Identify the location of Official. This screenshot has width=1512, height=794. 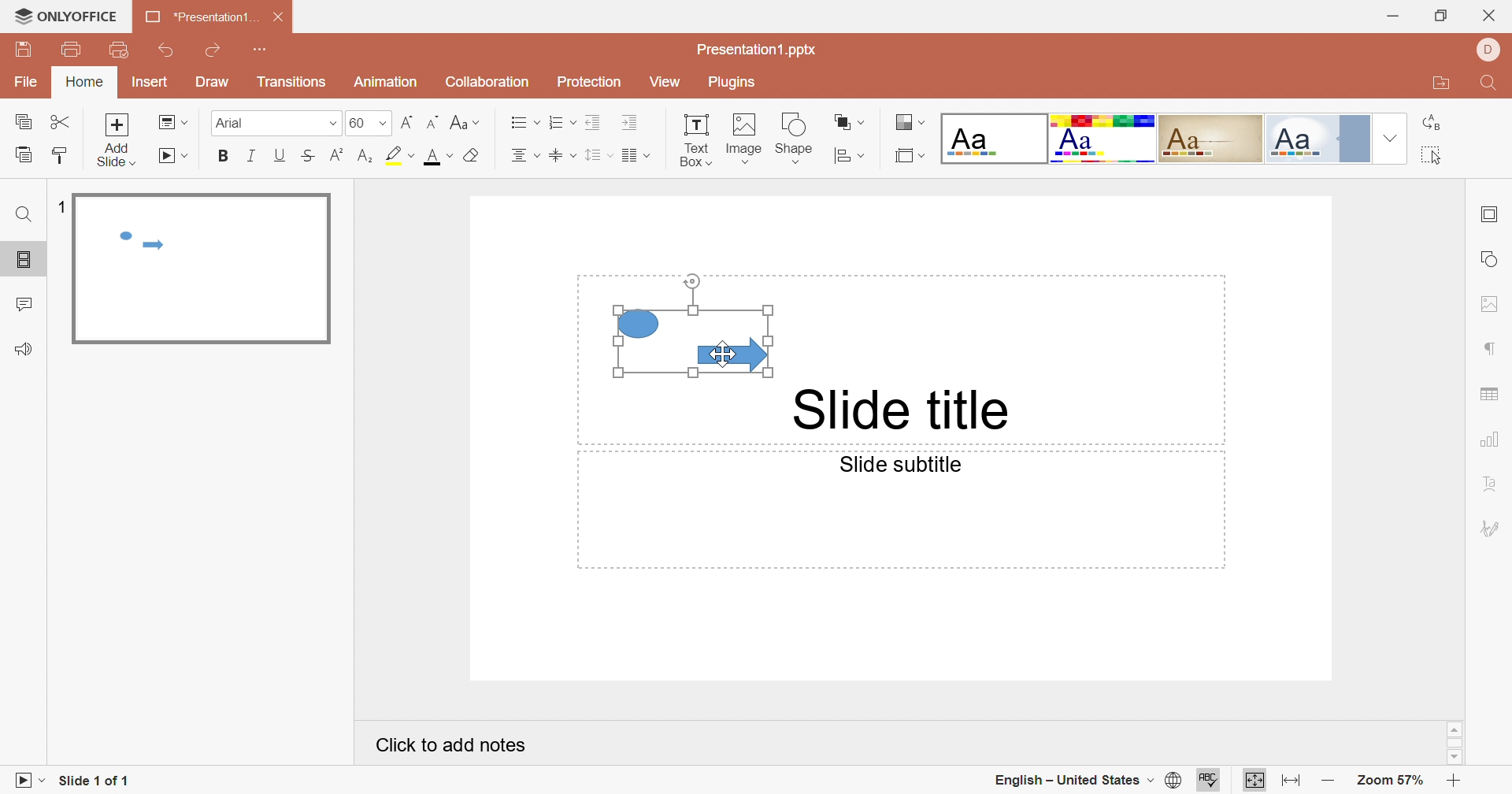
(1317, 139).